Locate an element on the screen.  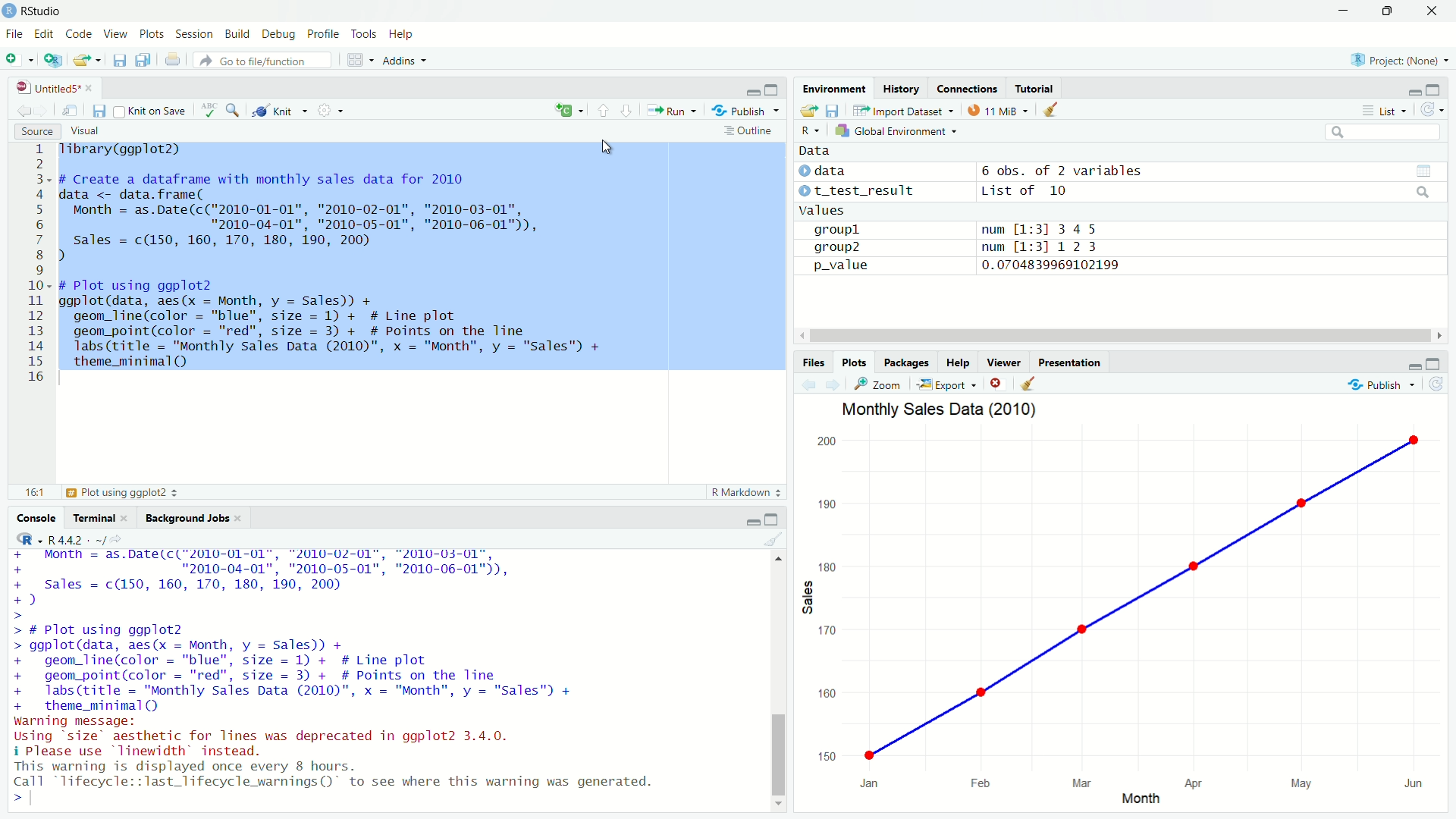
maximise is located at coordinates (771, 88).